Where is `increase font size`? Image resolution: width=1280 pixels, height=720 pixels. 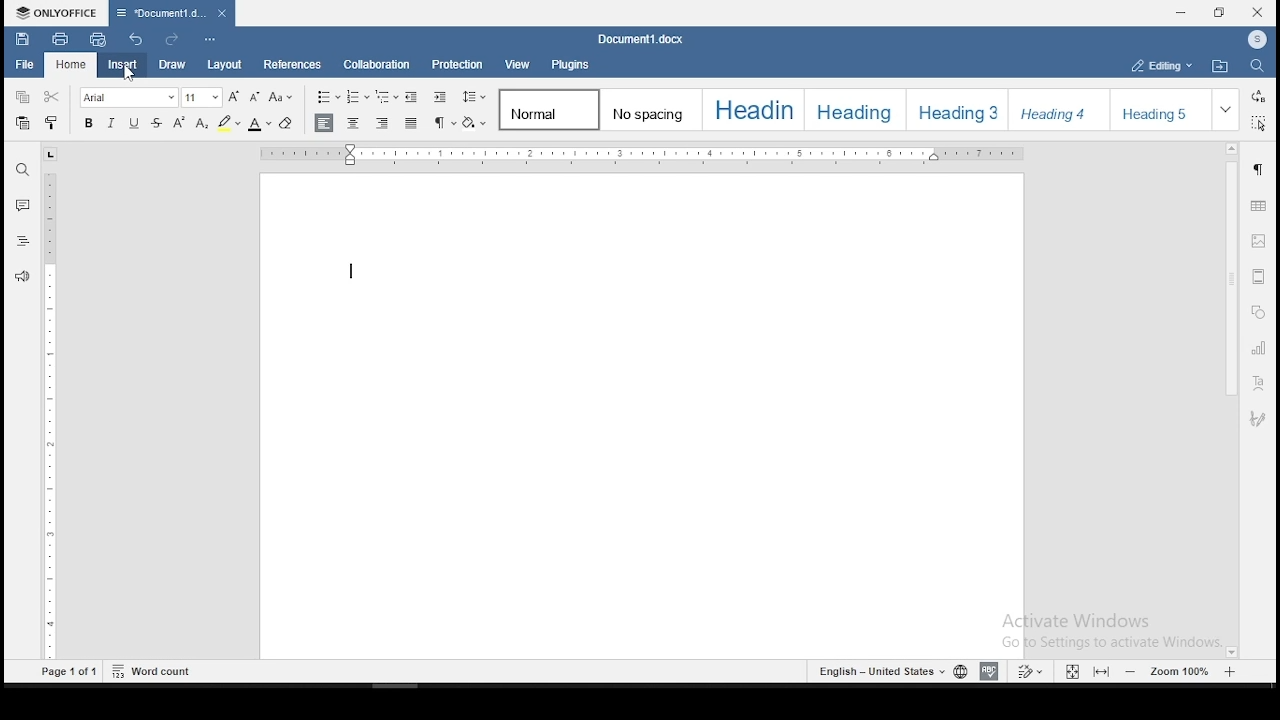 increase font size is located at coordinates (235, 97).